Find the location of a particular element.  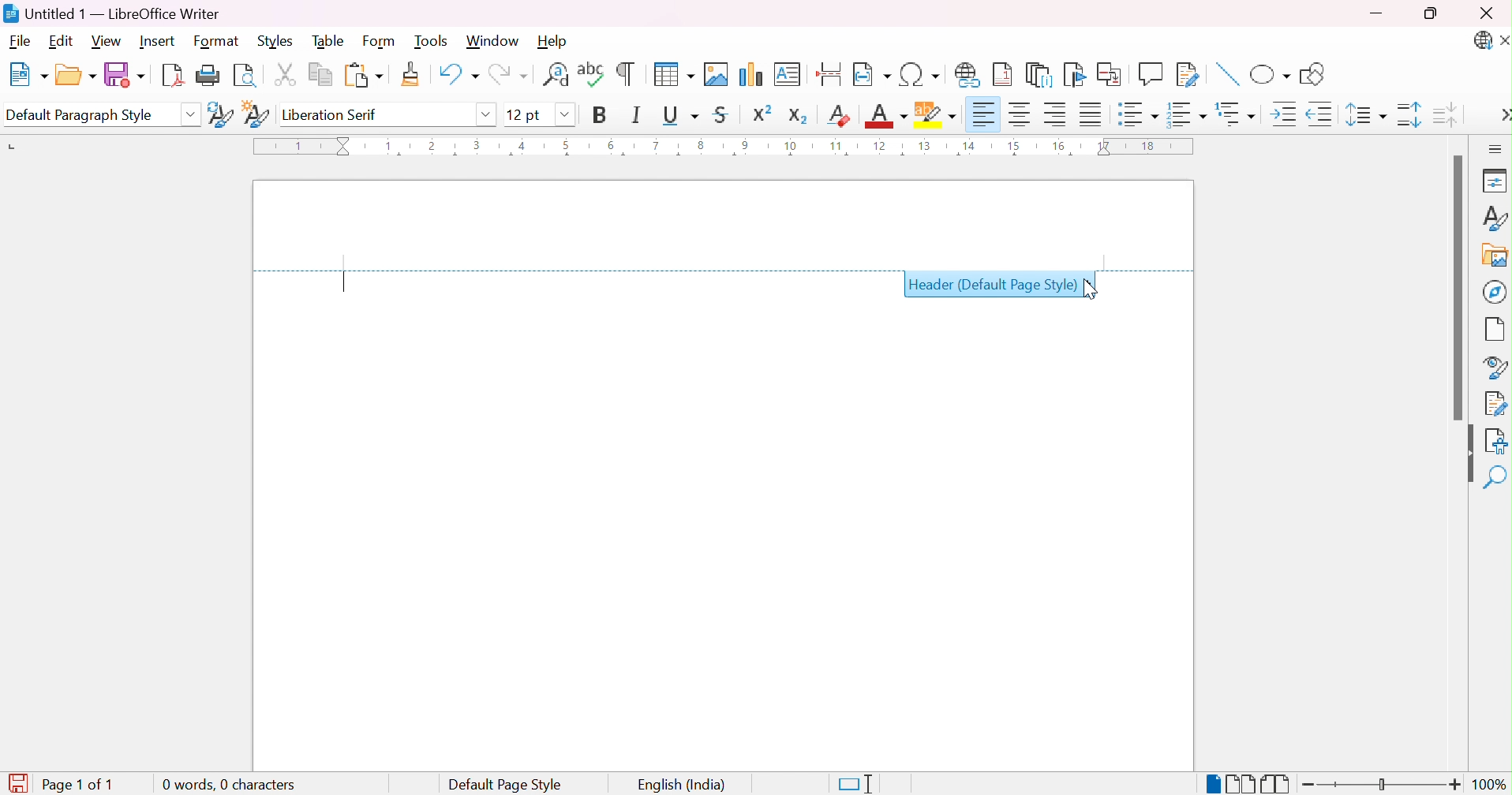

Insert field is located at coordinates (871, 73).